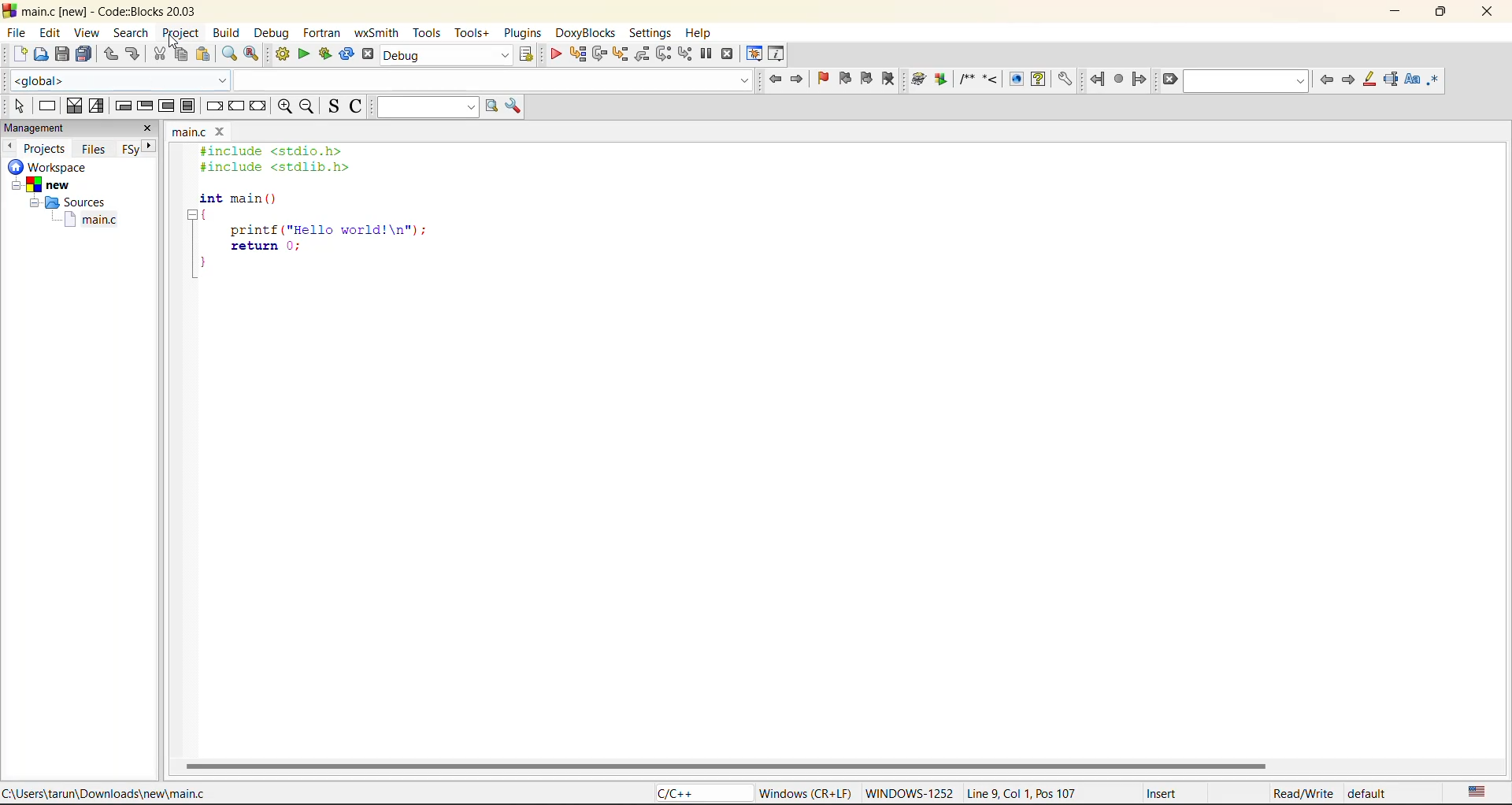 This screenshot has width=1512, height=805. What do you see at coordinates (891, 81) in the screenshot?
I see `clear bookmark` at bounding box center [891, 81].